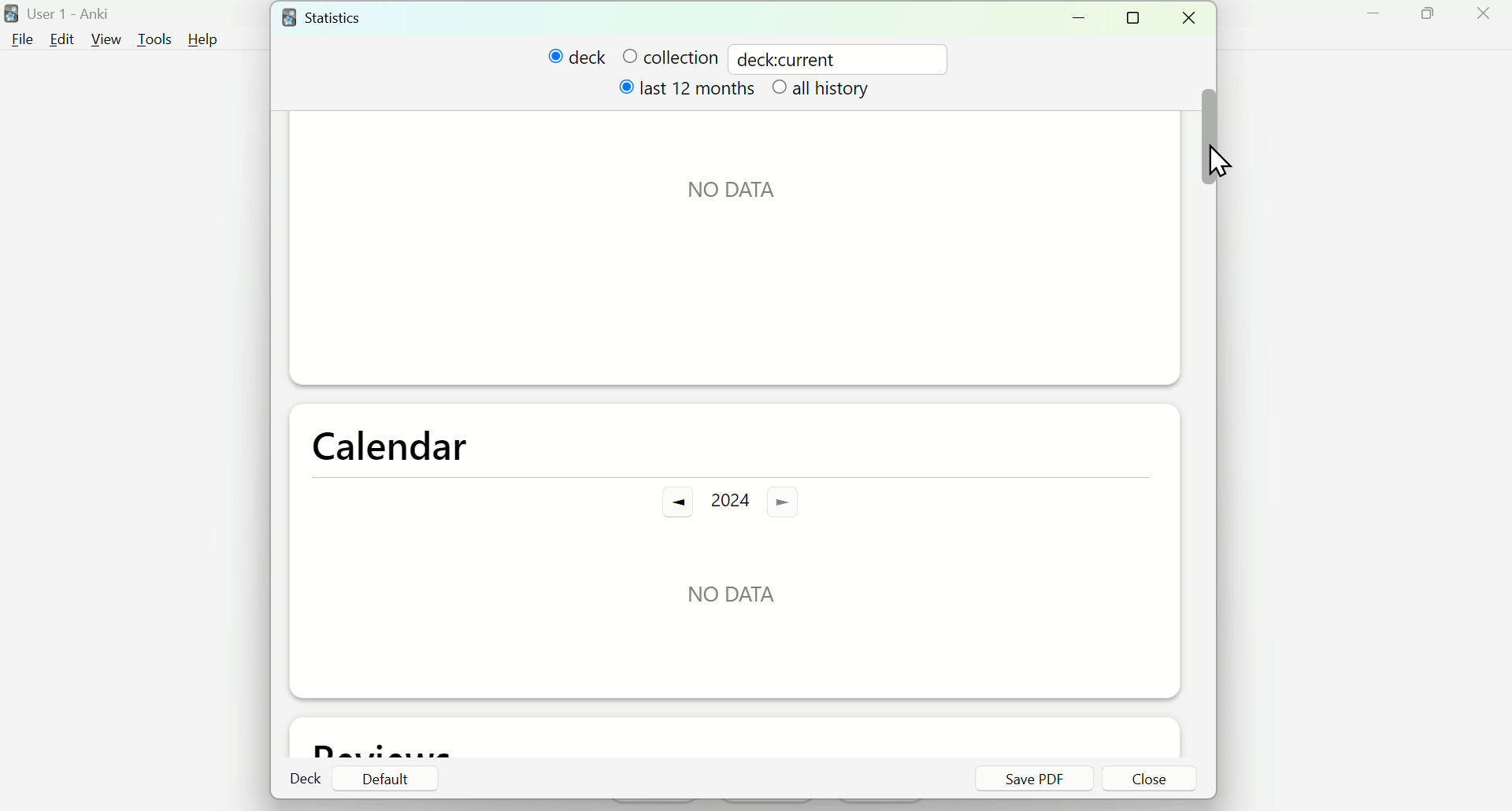  What do you see at coordinates (210, 39) in the screenshot?
I see `Help` at bounding box center [210, 39].